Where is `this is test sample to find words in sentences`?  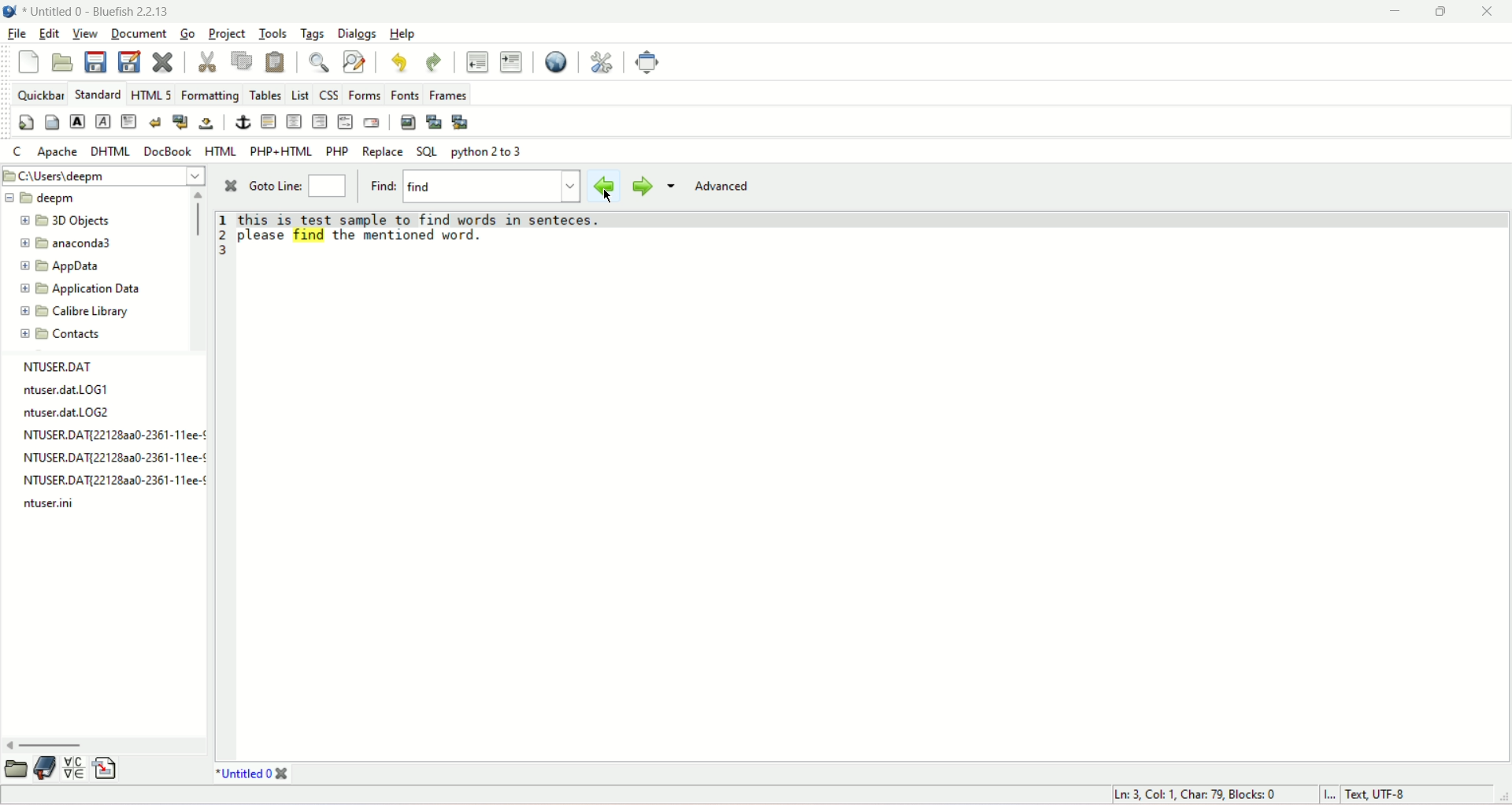 this is test sample to find words in sentences is located at coordinates (425, 217).